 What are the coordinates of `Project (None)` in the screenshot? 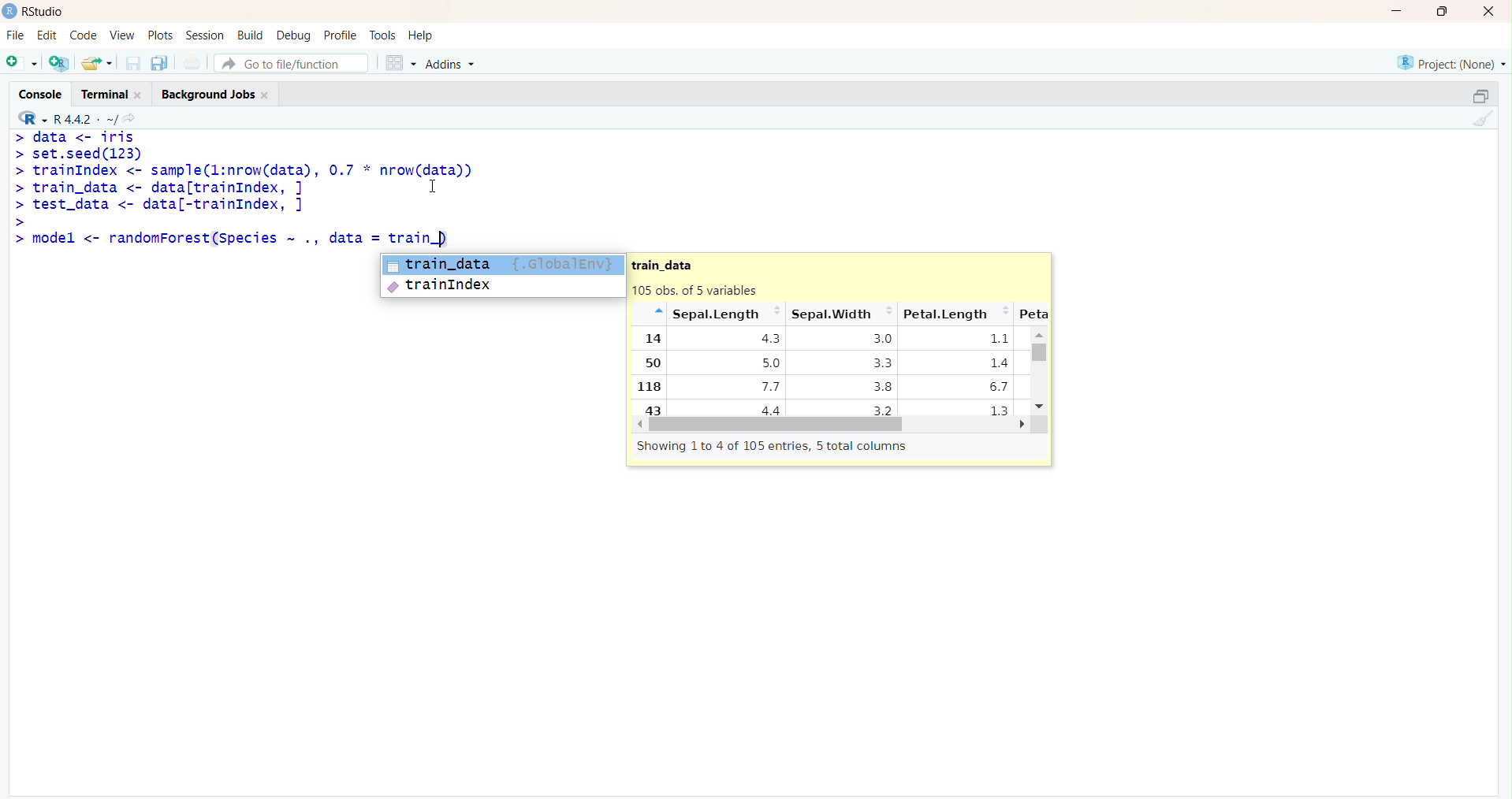 It's located at (1450, 62).